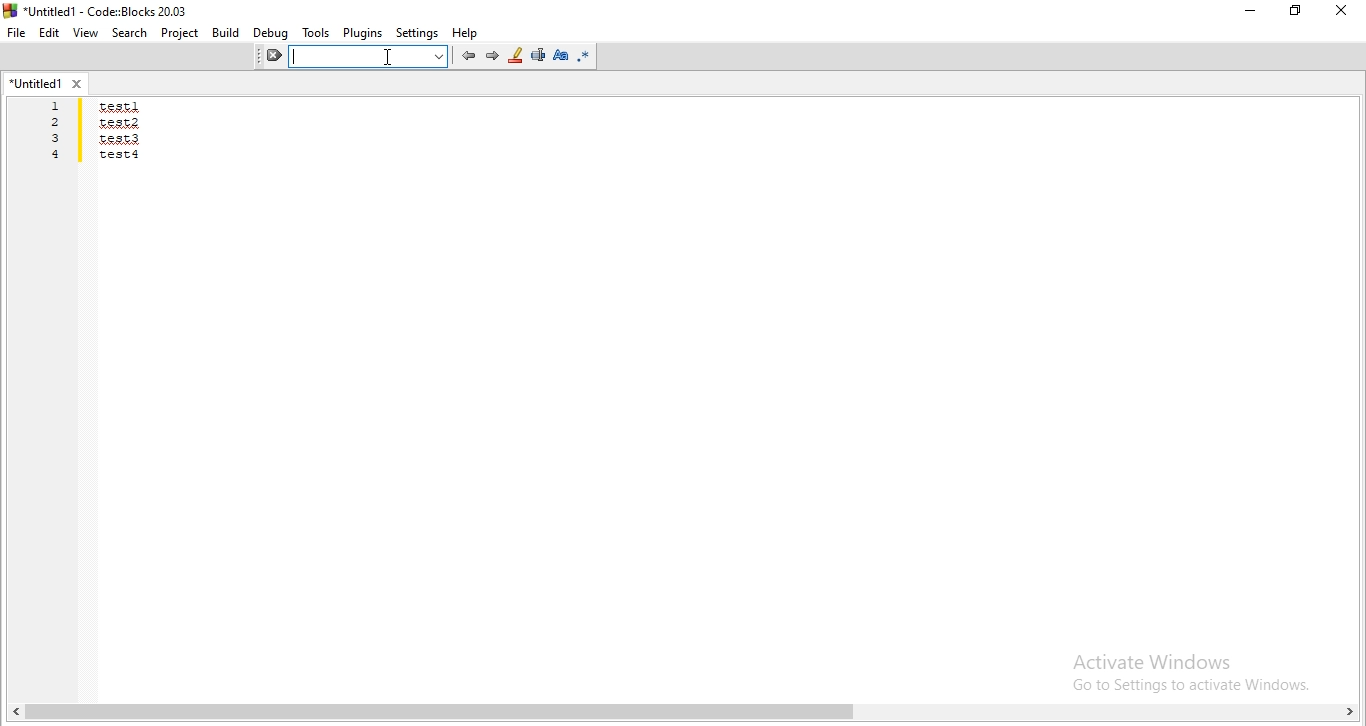 The height and width of the screenshot is (726, 1366). What do you see at coordinates (37, 83) in the screenshot?
I see `*Untitled1 ` at bounding box center [37, 83].